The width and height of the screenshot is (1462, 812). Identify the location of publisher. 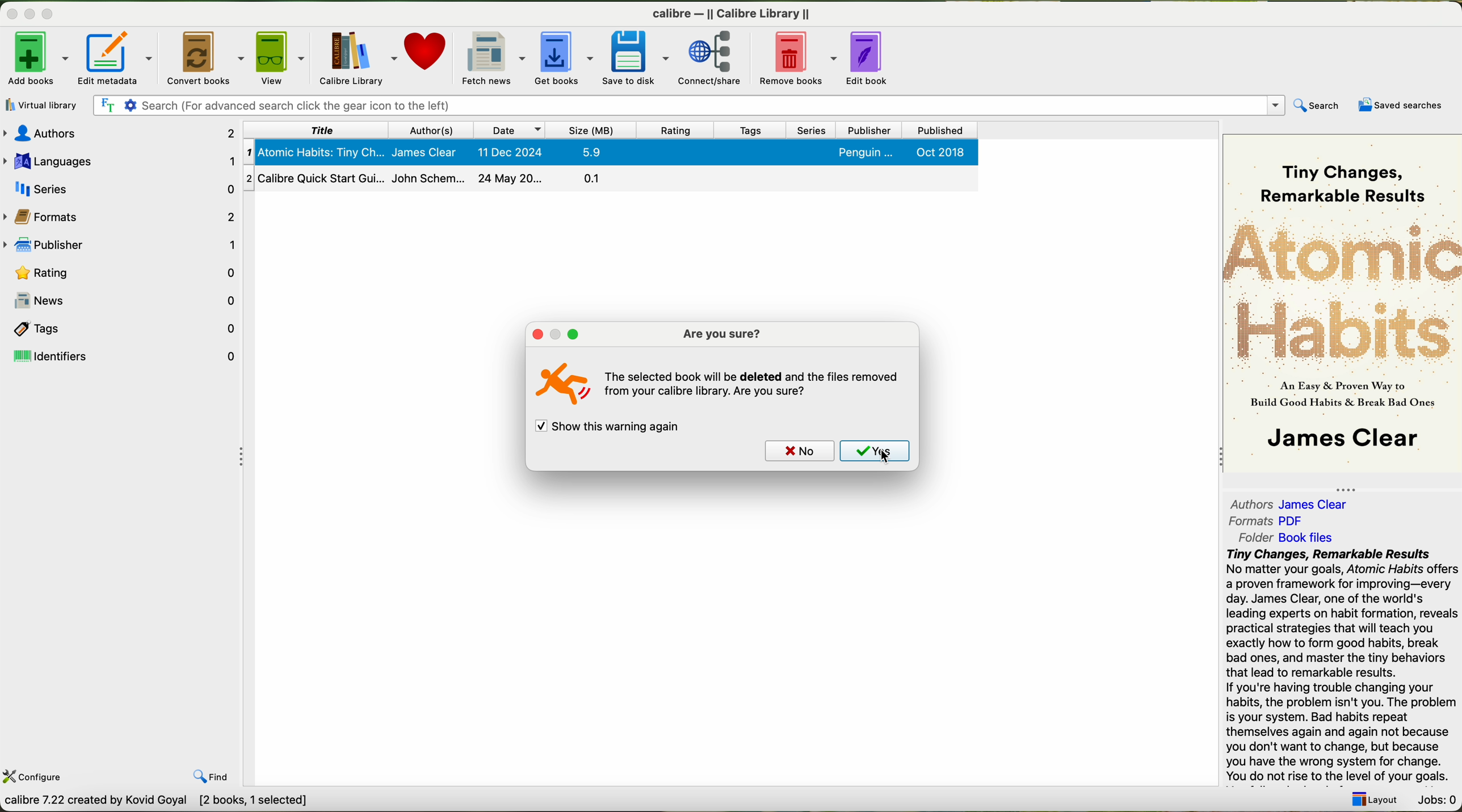
(870, 130).